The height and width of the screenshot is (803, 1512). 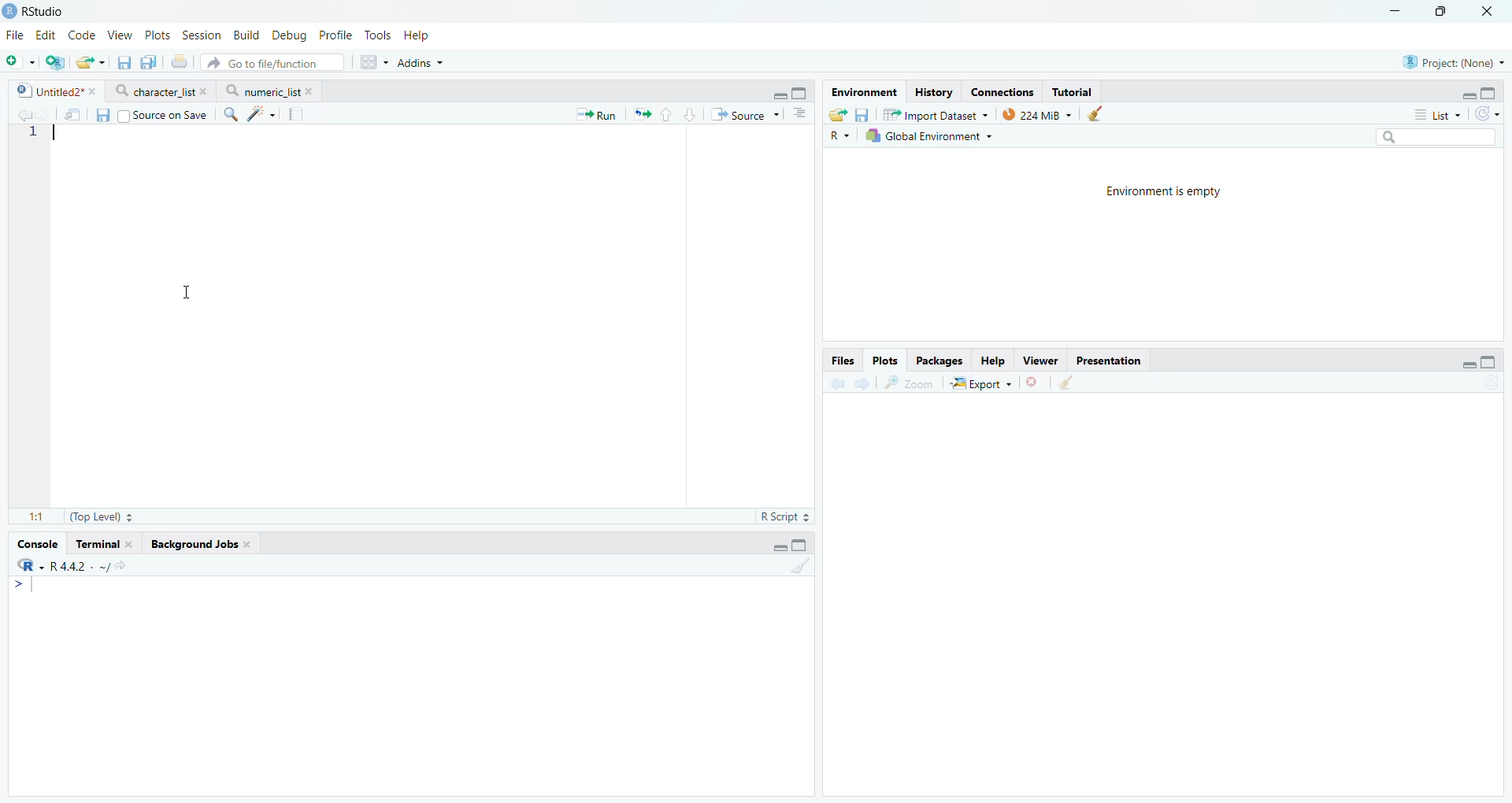 What do you see at coordinates (72, 565) in the screenshot?
I see `R 4.4.2- ~/` at bounding box center [72, 565].